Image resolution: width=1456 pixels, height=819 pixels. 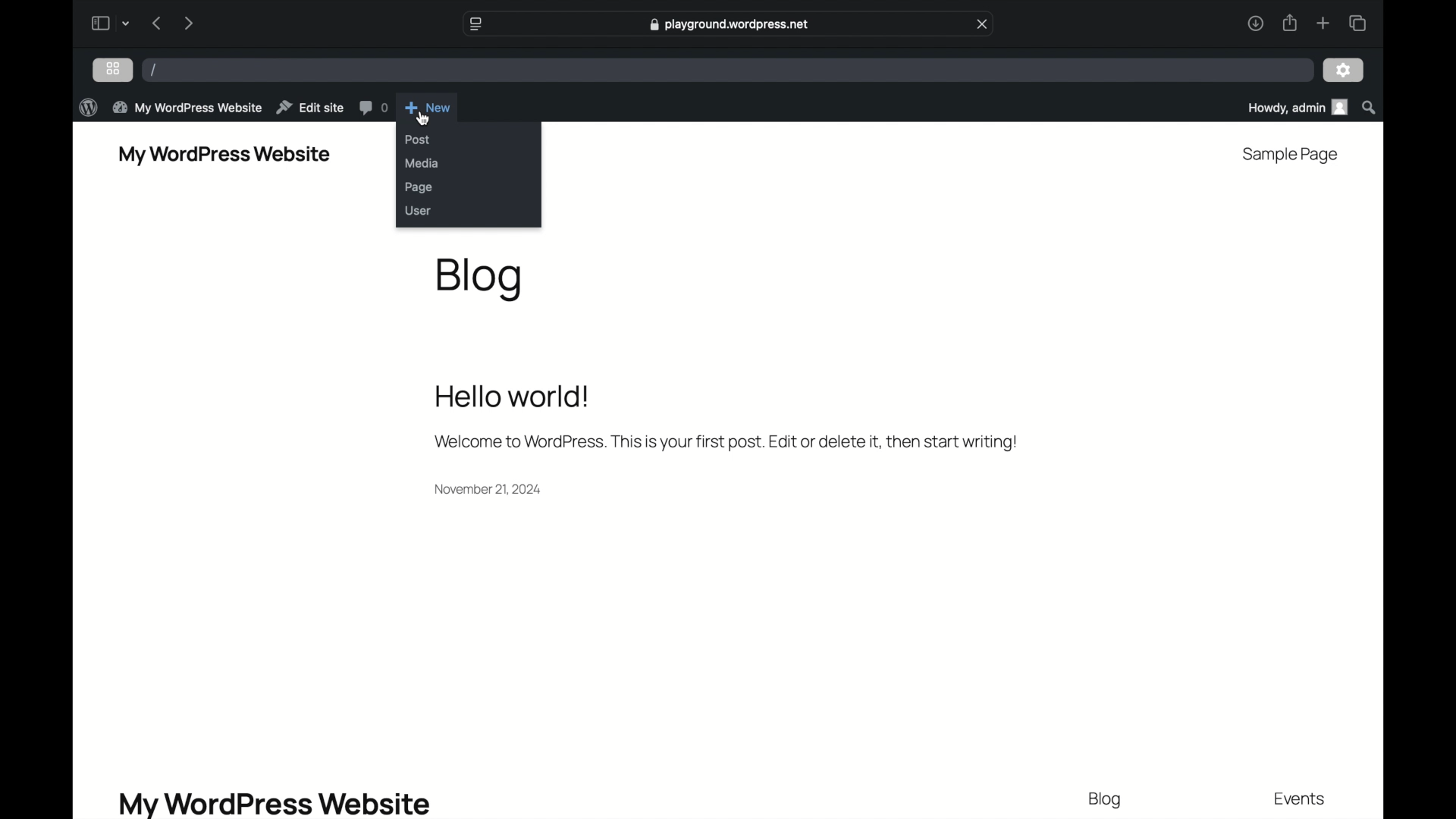 What do you see at coordinates (491, 488) in the screenshot?
I see `date` at bounding box center [491, 488].